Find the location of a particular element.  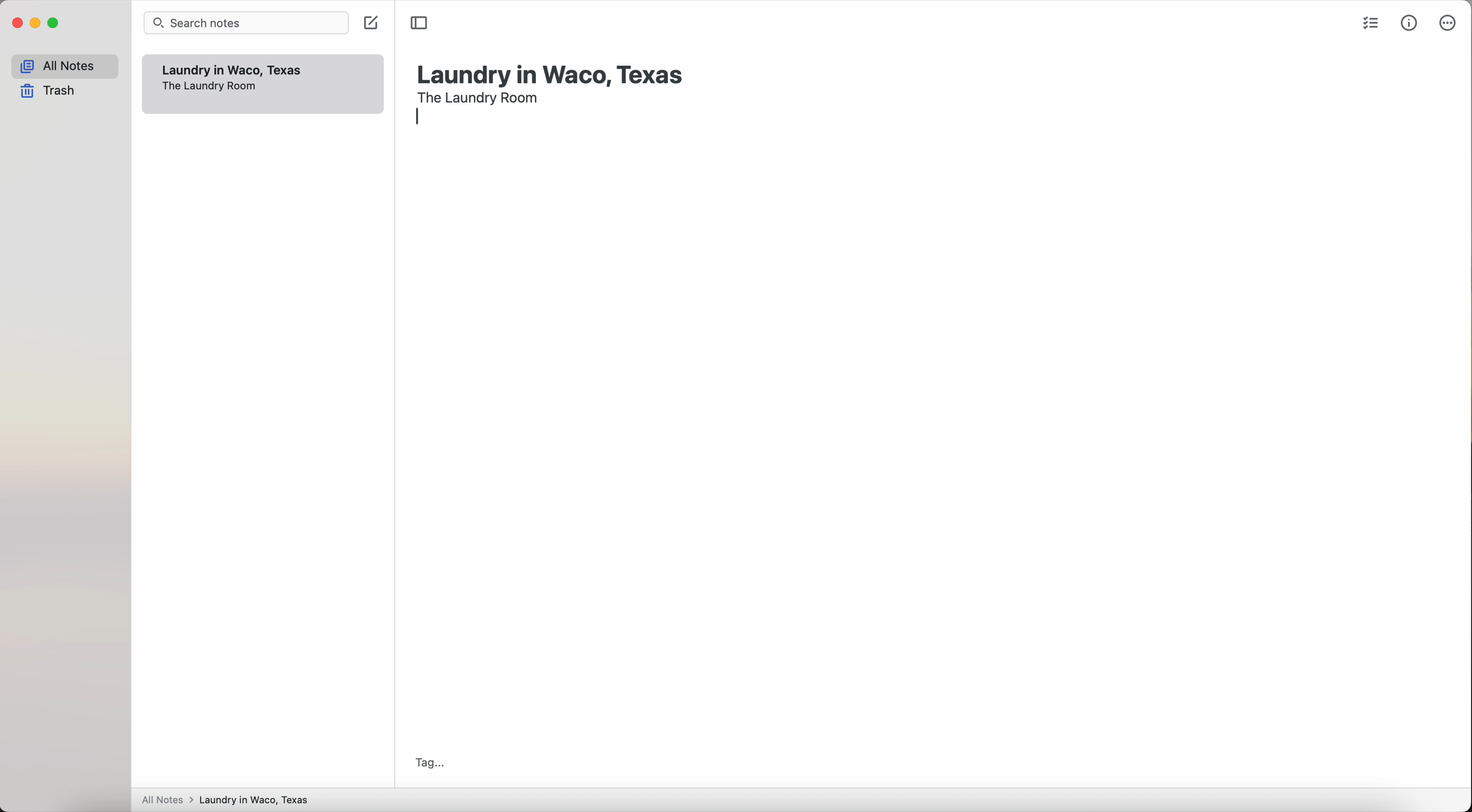

maximize app is located at coordinates (54, 23).